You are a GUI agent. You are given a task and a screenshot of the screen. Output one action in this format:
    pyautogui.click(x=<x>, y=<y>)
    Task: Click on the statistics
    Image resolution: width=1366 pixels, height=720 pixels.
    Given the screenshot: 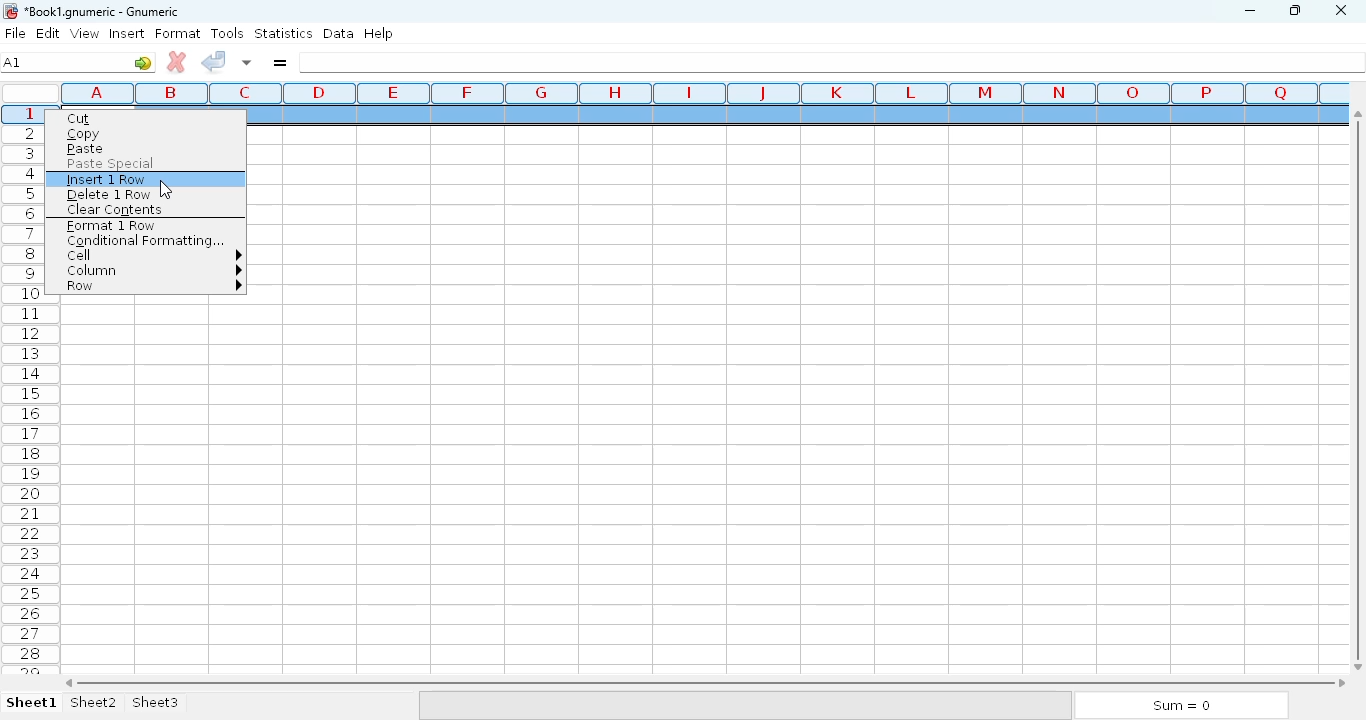 What is the action you would take?
    pyautogui.click(x=283, y=32)
    